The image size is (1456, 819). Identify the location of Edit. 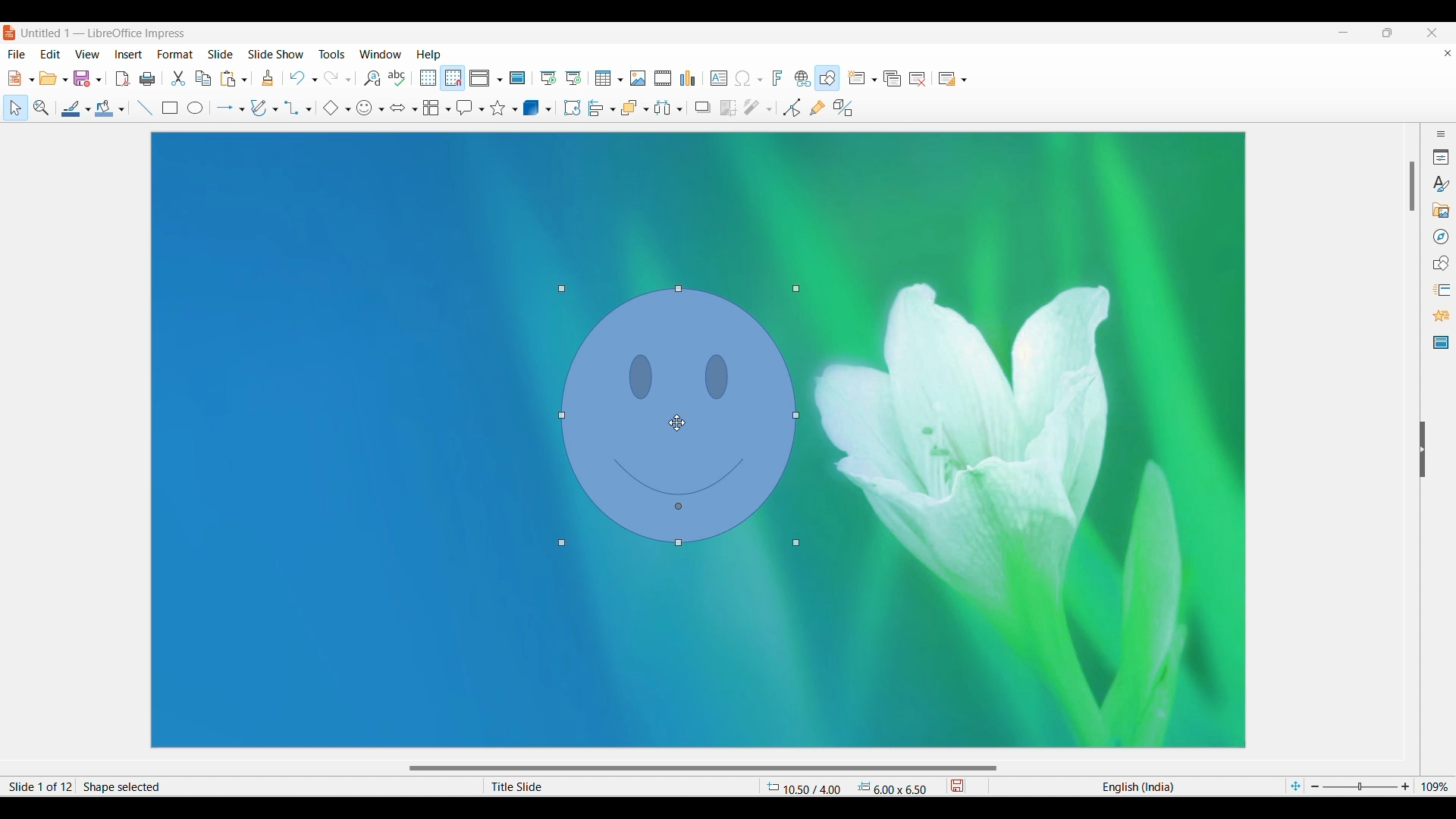
(50, 53).